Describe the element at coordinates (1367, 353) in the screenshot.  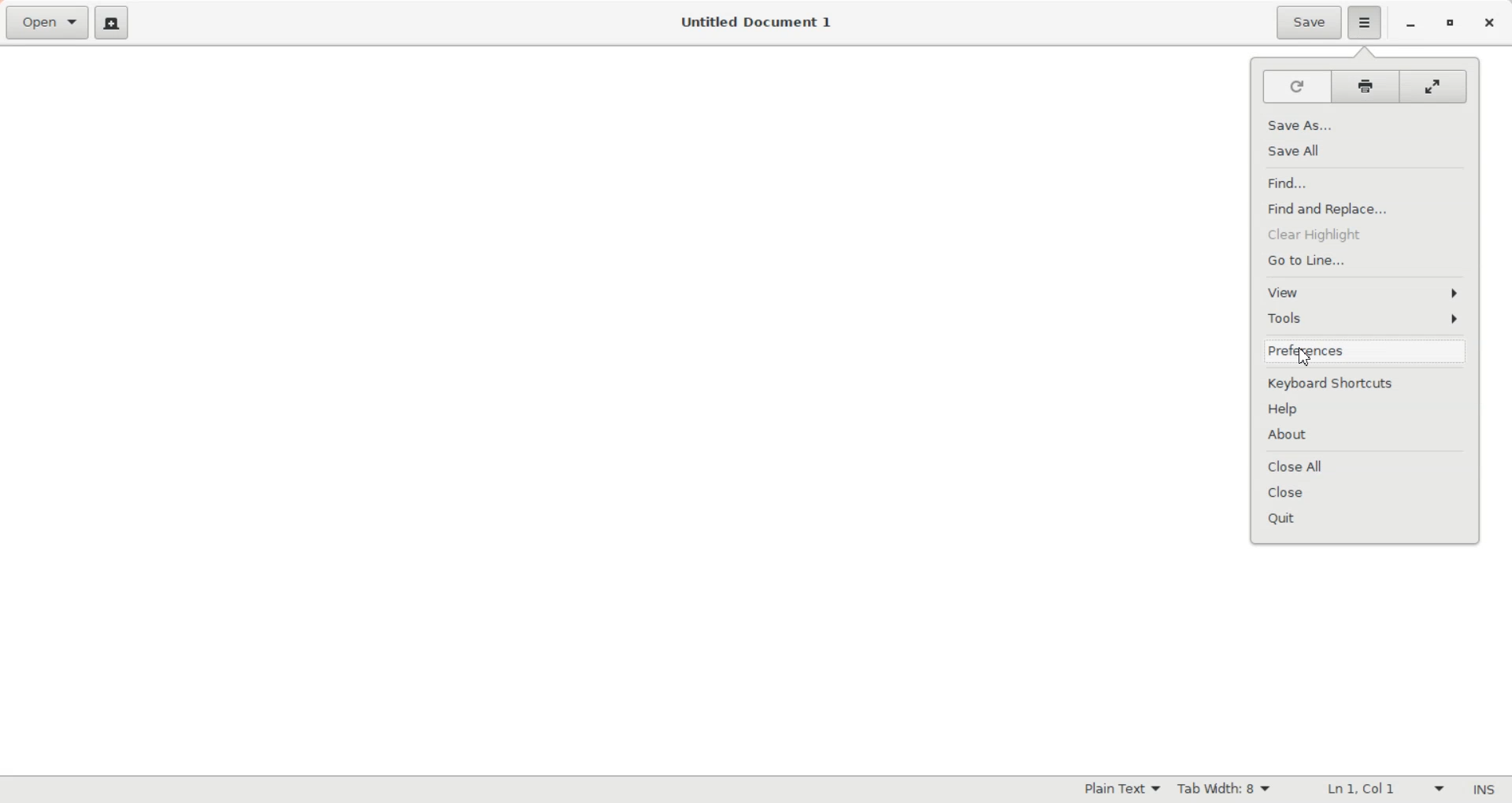
I see `Preferences` at that location.